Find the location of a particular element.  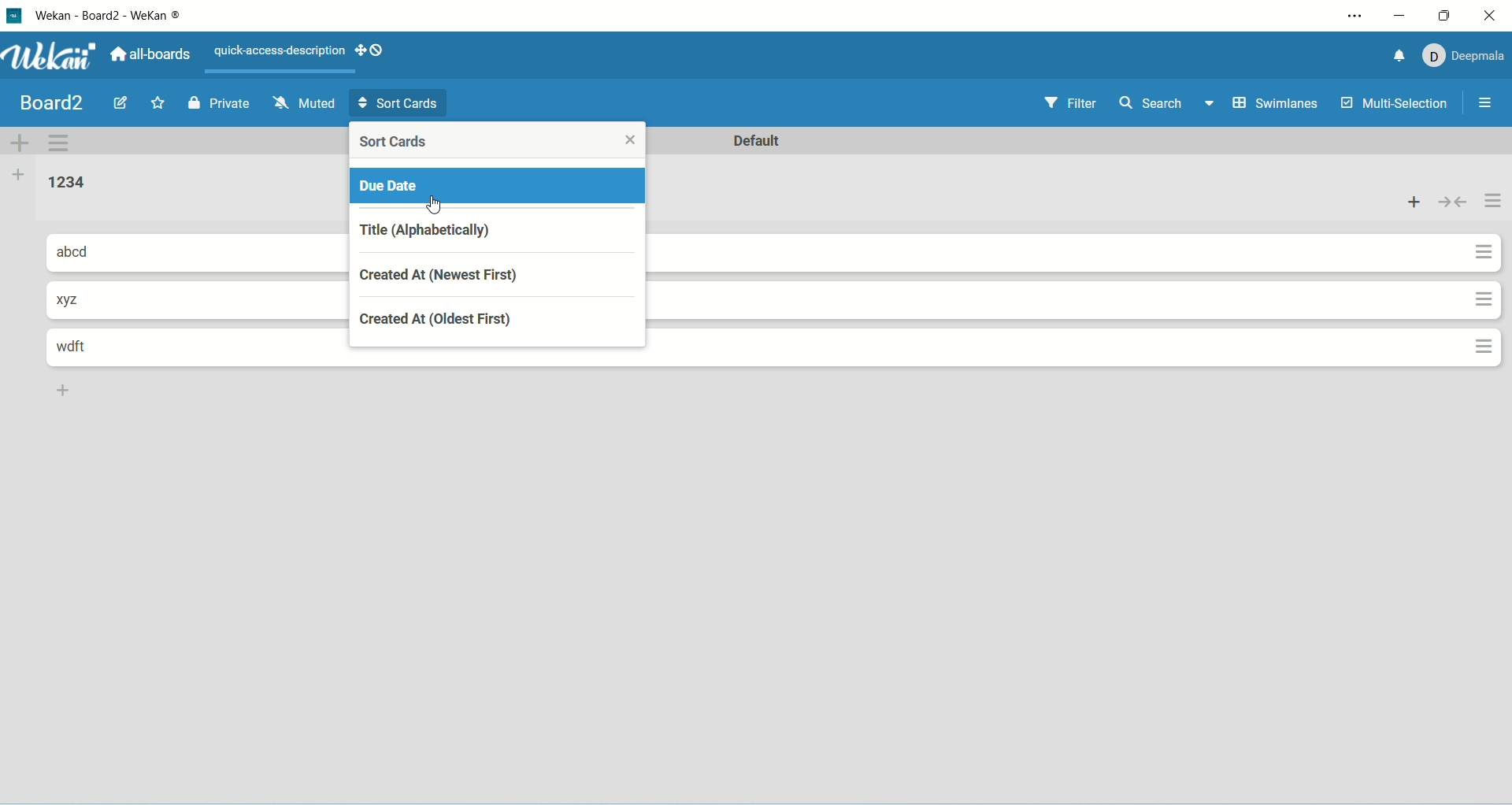

title is located at coordinates (502, 230).